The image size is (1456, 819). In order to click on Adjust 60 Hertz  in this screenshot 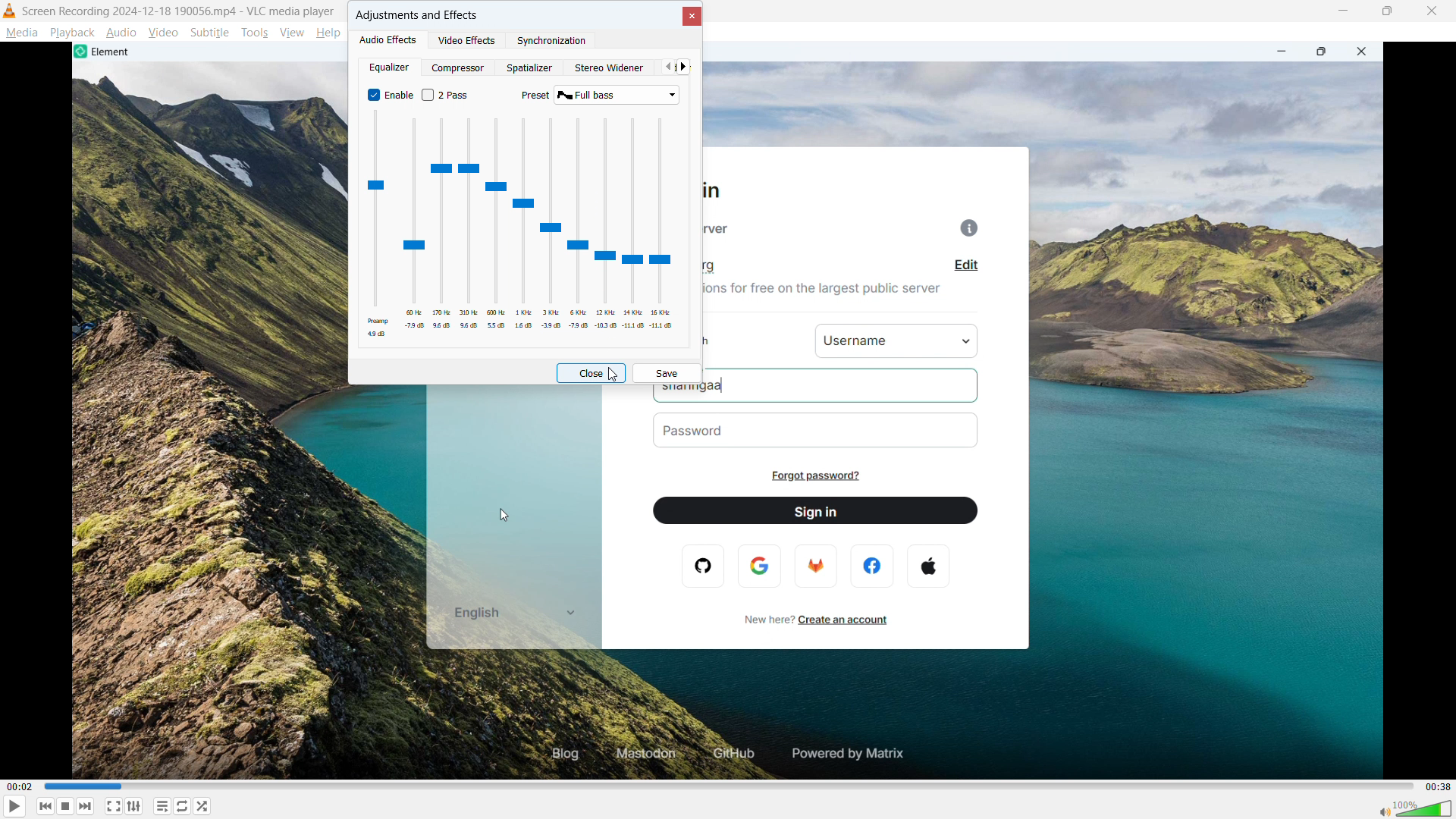, I will do `click(414, 225)`.